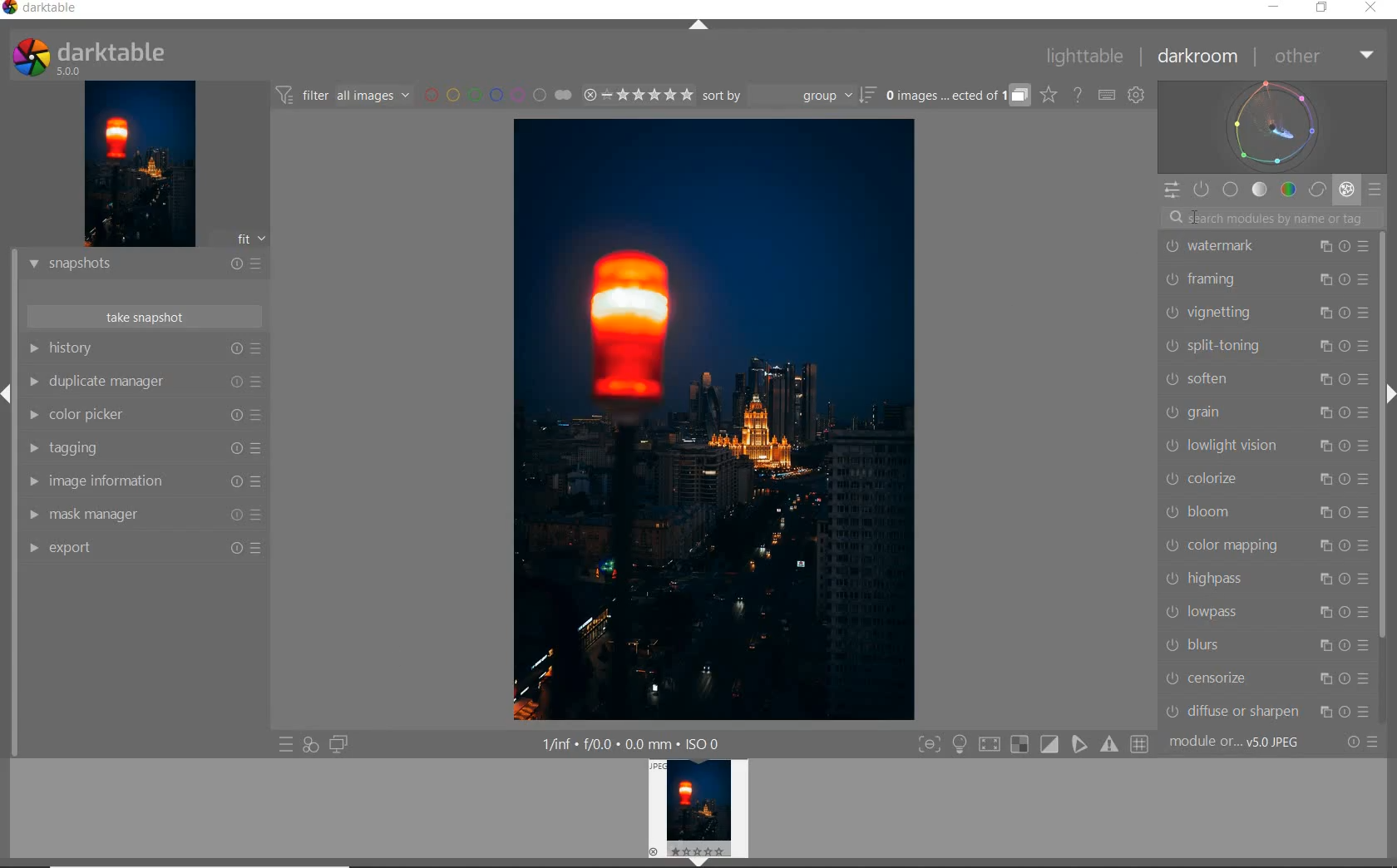 This screenshot has width=1397, height=868. What do you see at coordinates (701, 813) in the screenshot?
I see `IMAGE PREVIEW` at bounding box center [701, 813].